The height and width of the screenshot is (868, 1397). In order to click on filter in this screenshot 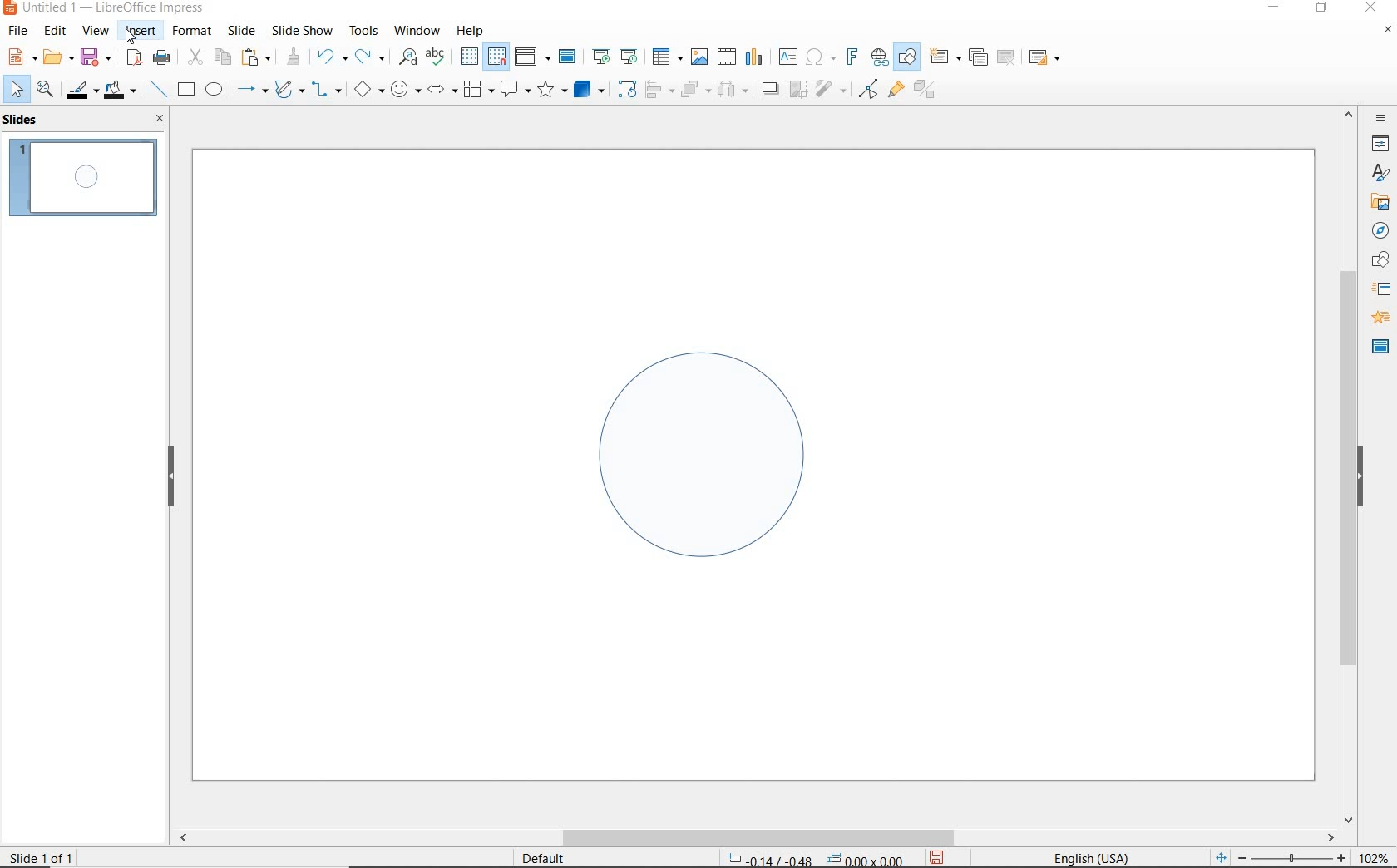, I will do `click(868, 86)`.